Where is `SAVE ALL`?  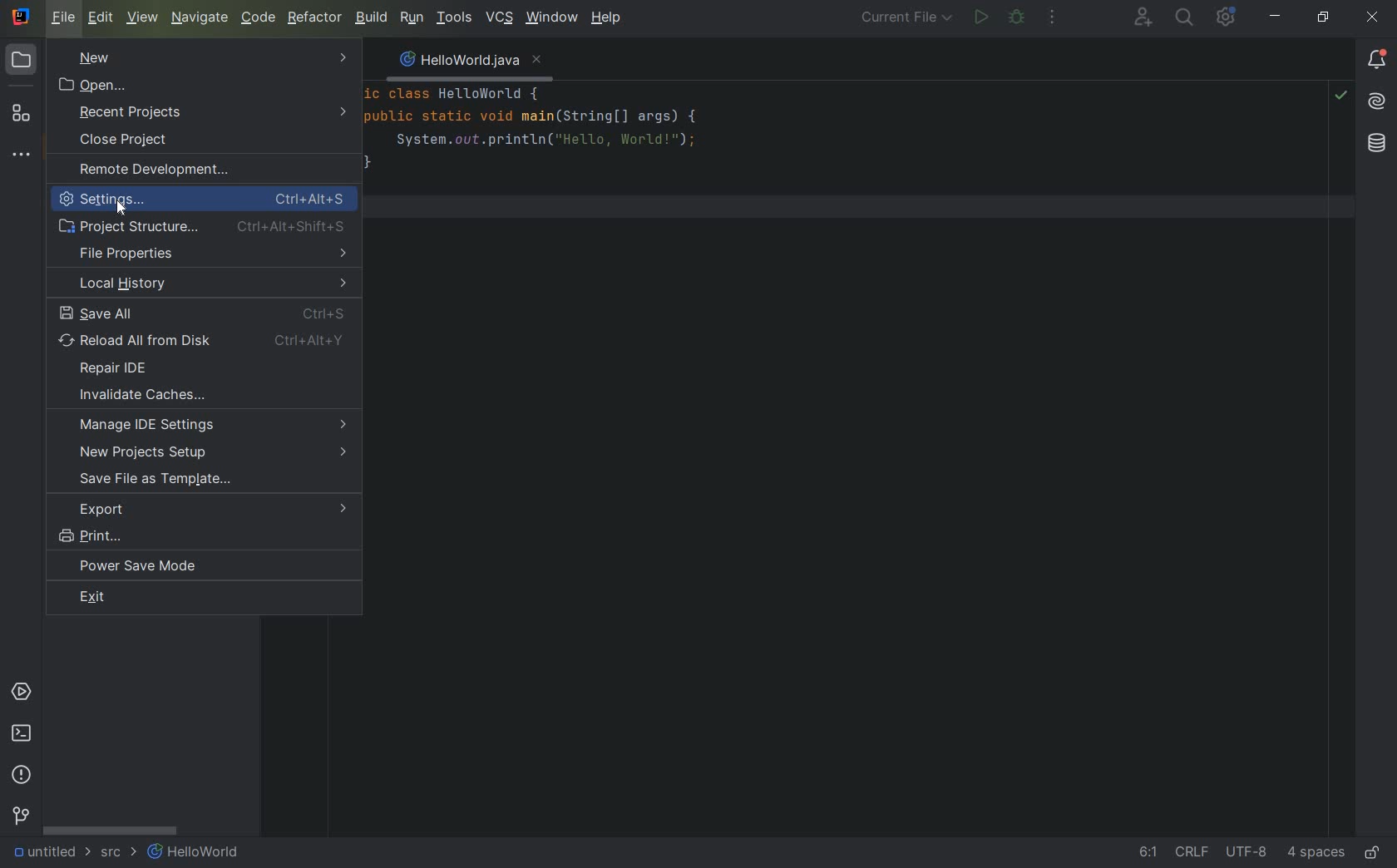 SAVE ALL is located at coordinates (200, 312).